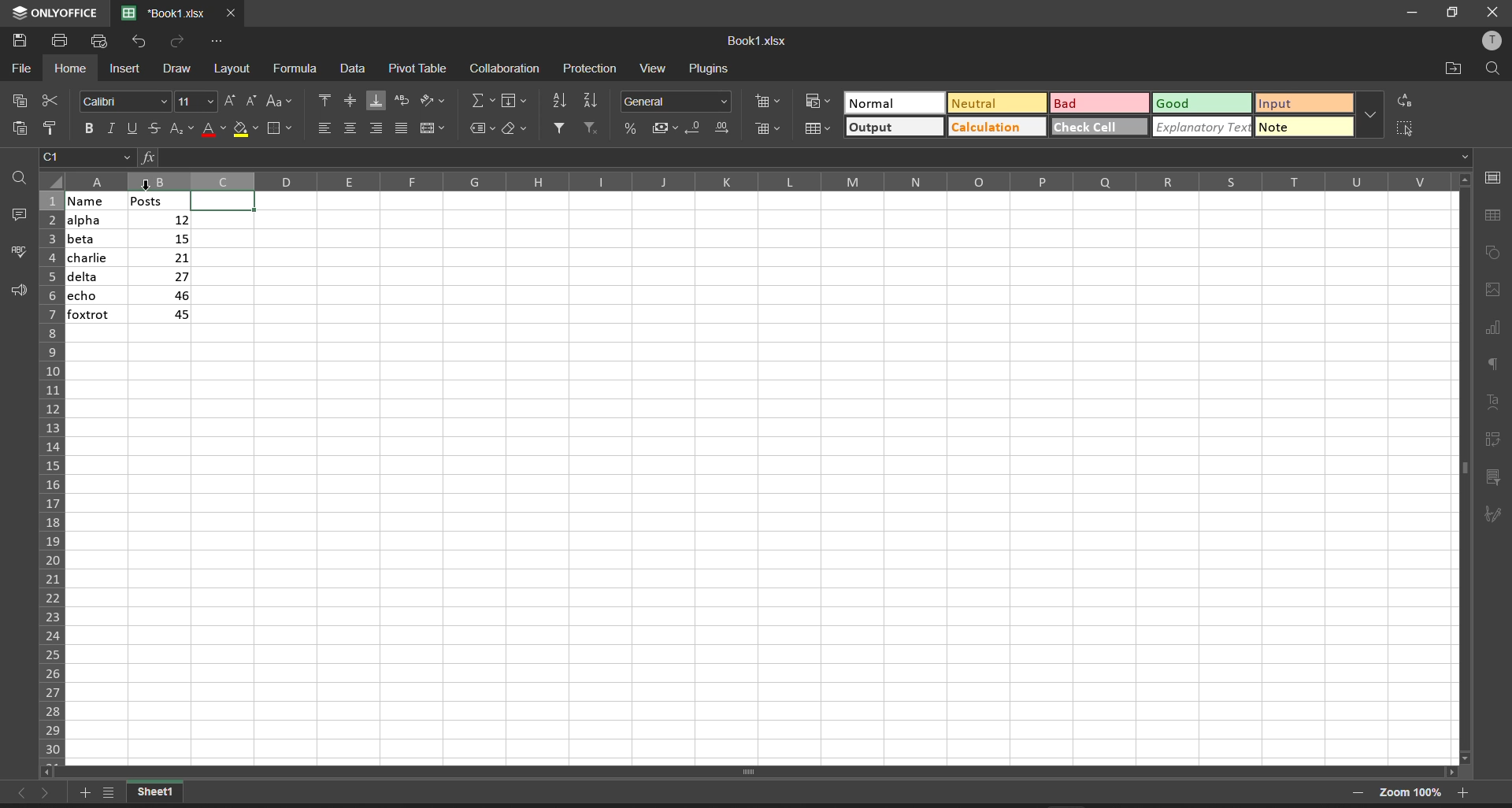 The height and width of the screenshot is (808, 1512). I want to click on scroll right, so click(1448, 773).